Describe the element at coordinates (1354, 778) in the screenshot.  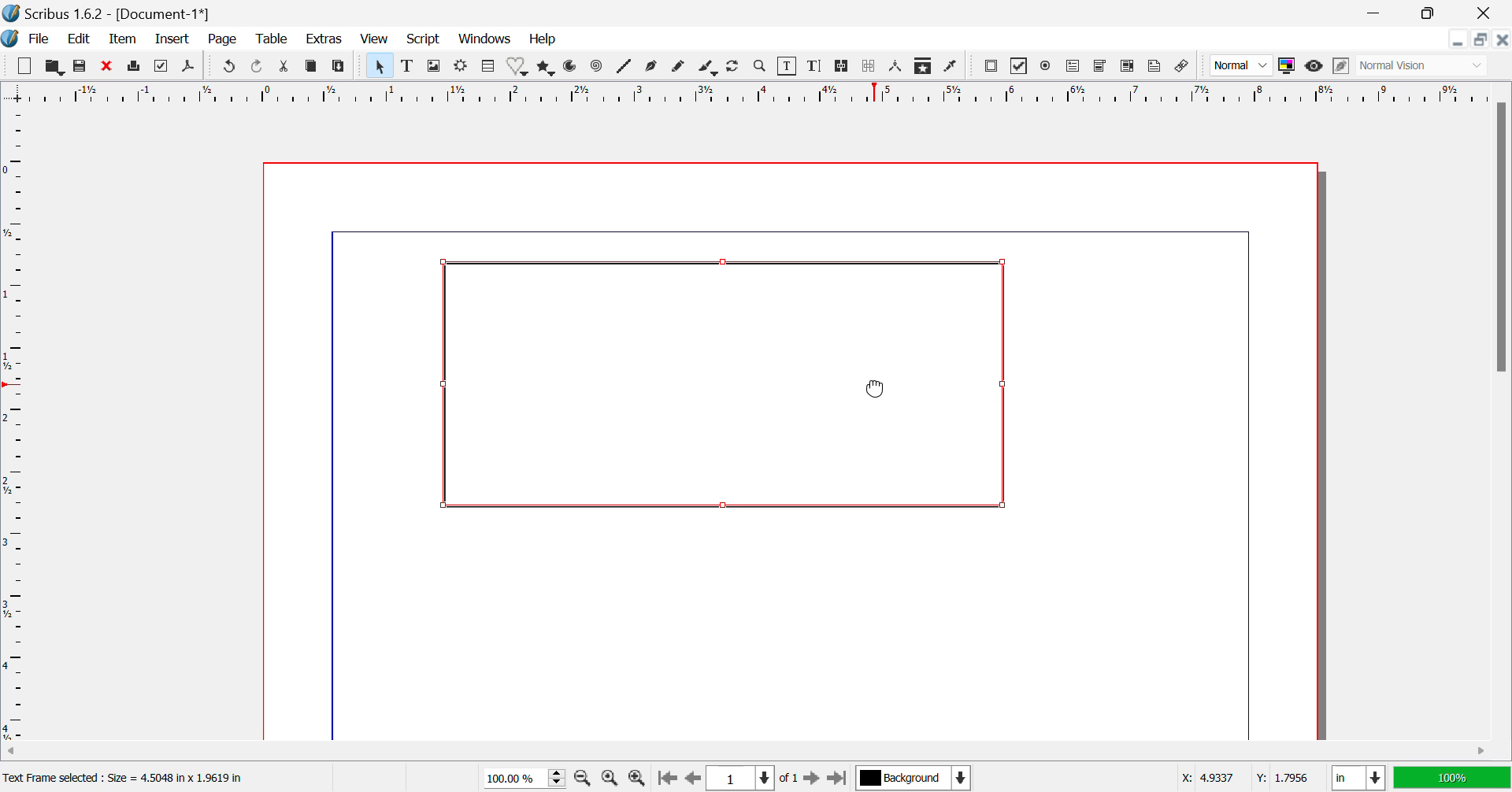
I see `in` at that location.